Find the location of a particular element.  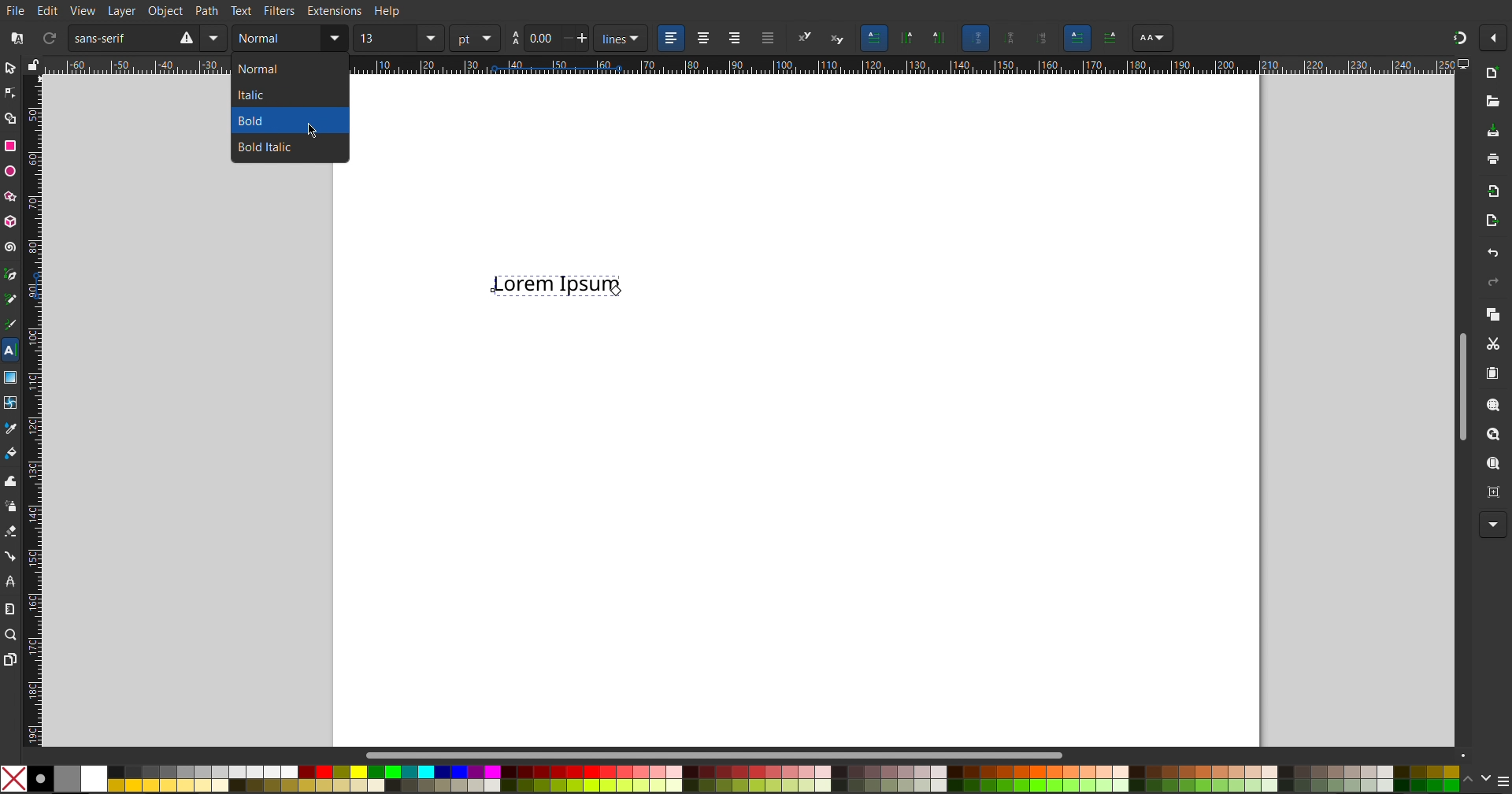

Zoom Drawing is located at coordinates (1489, 435).